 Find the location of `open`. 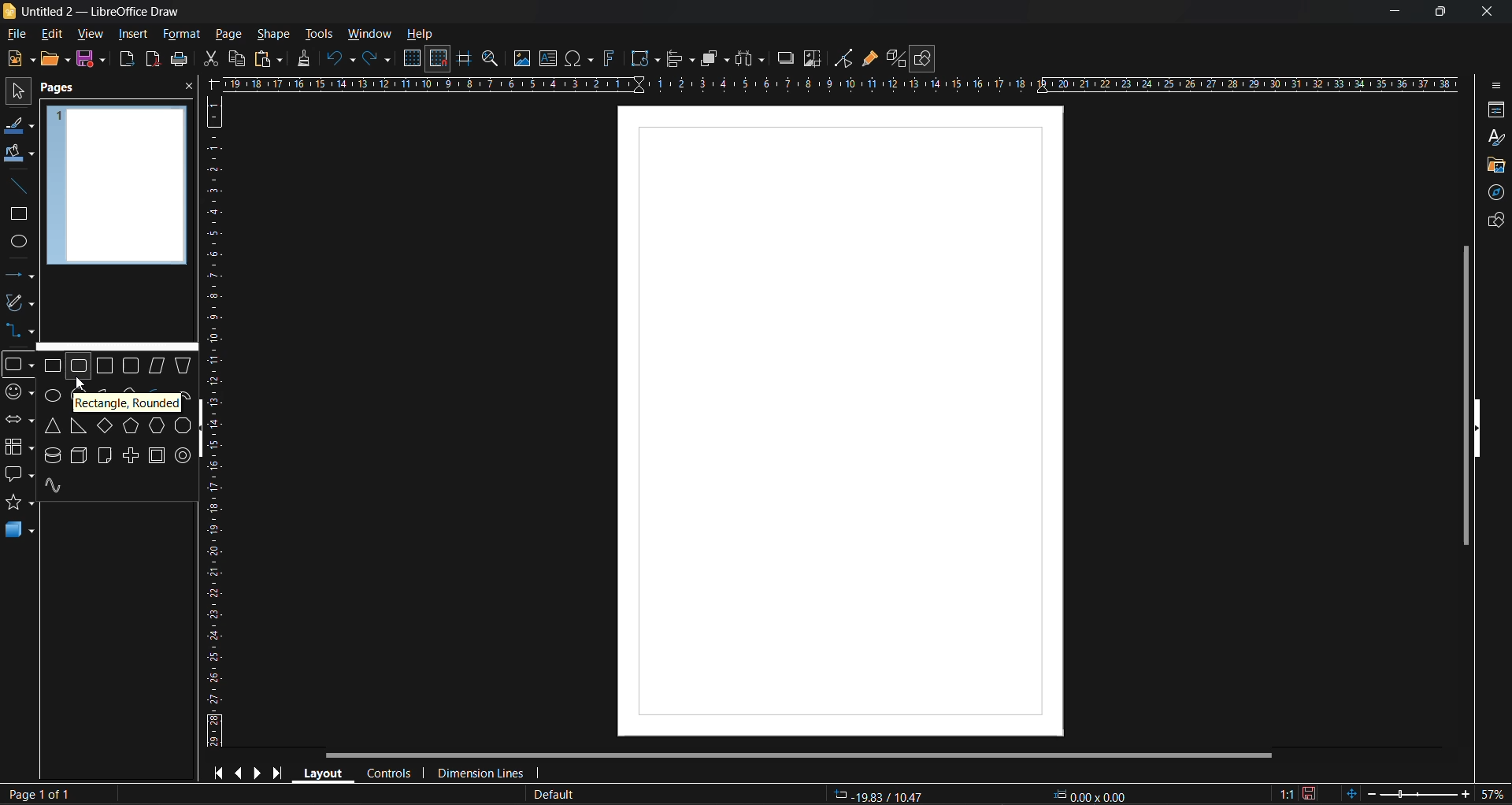

open is located at coordinates (55, 60).